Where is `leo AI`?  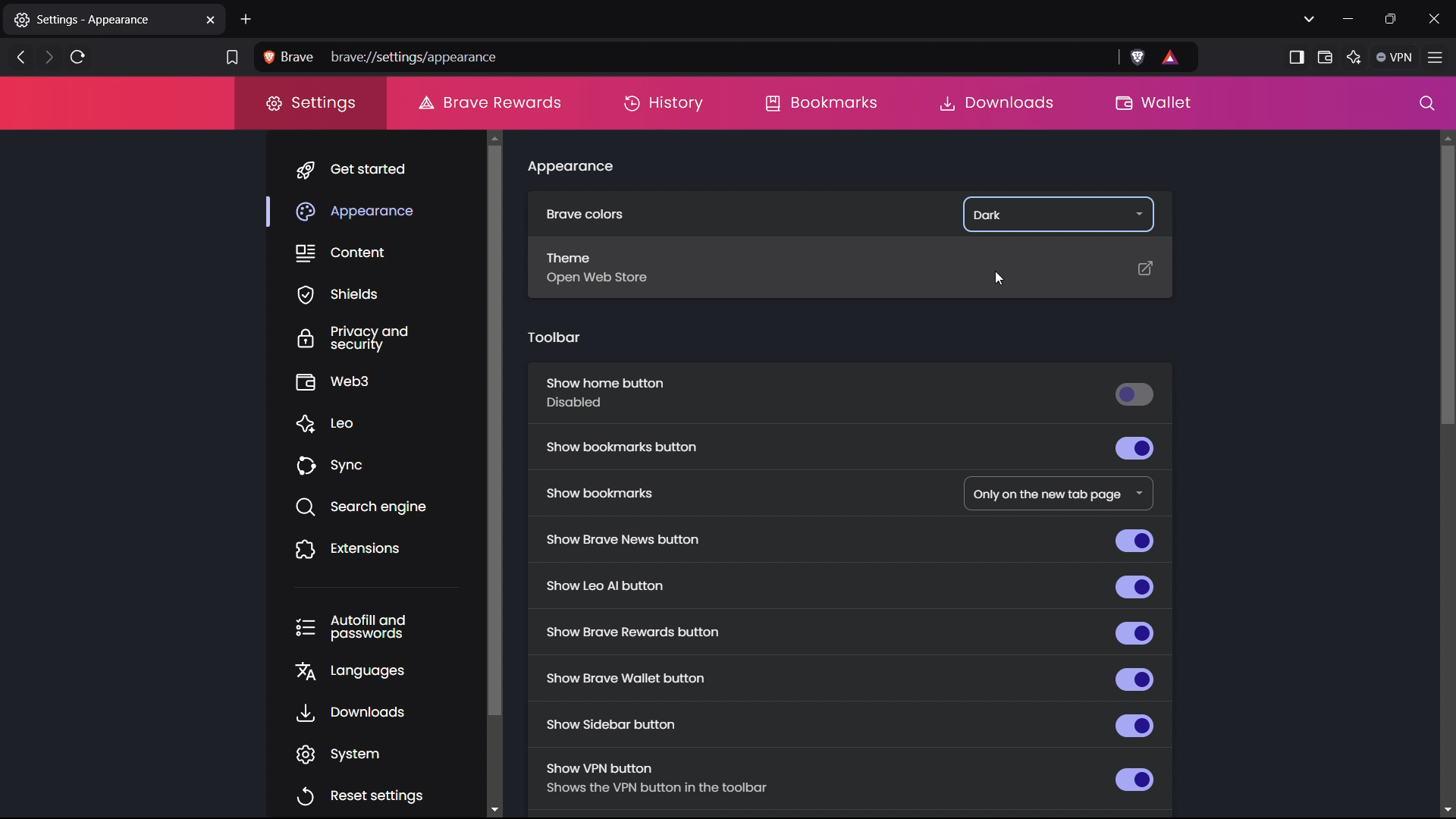 leo AI is located at coordinates (1354, 55).